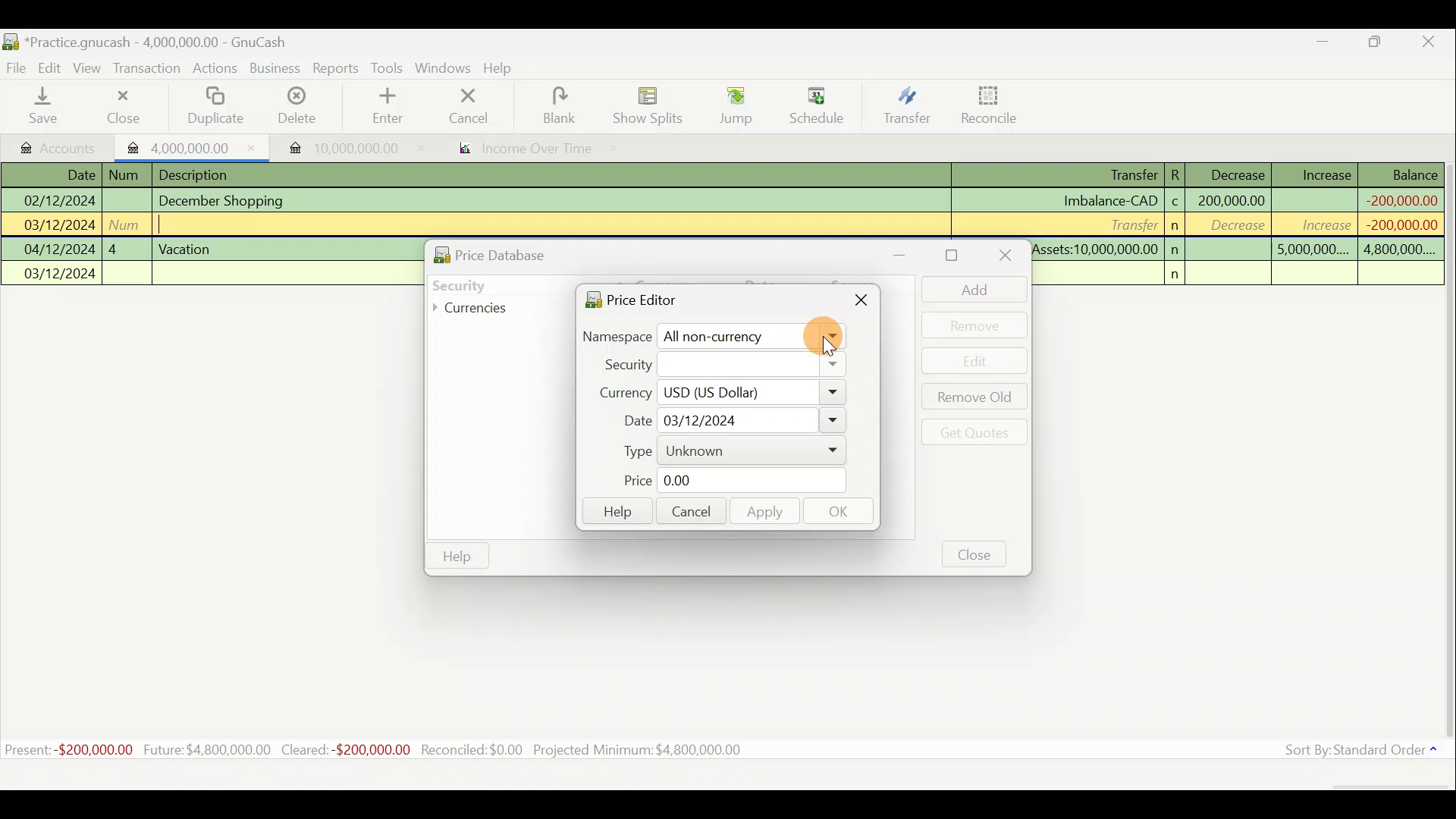  I want to click on Sort by, so click(1354, 752).